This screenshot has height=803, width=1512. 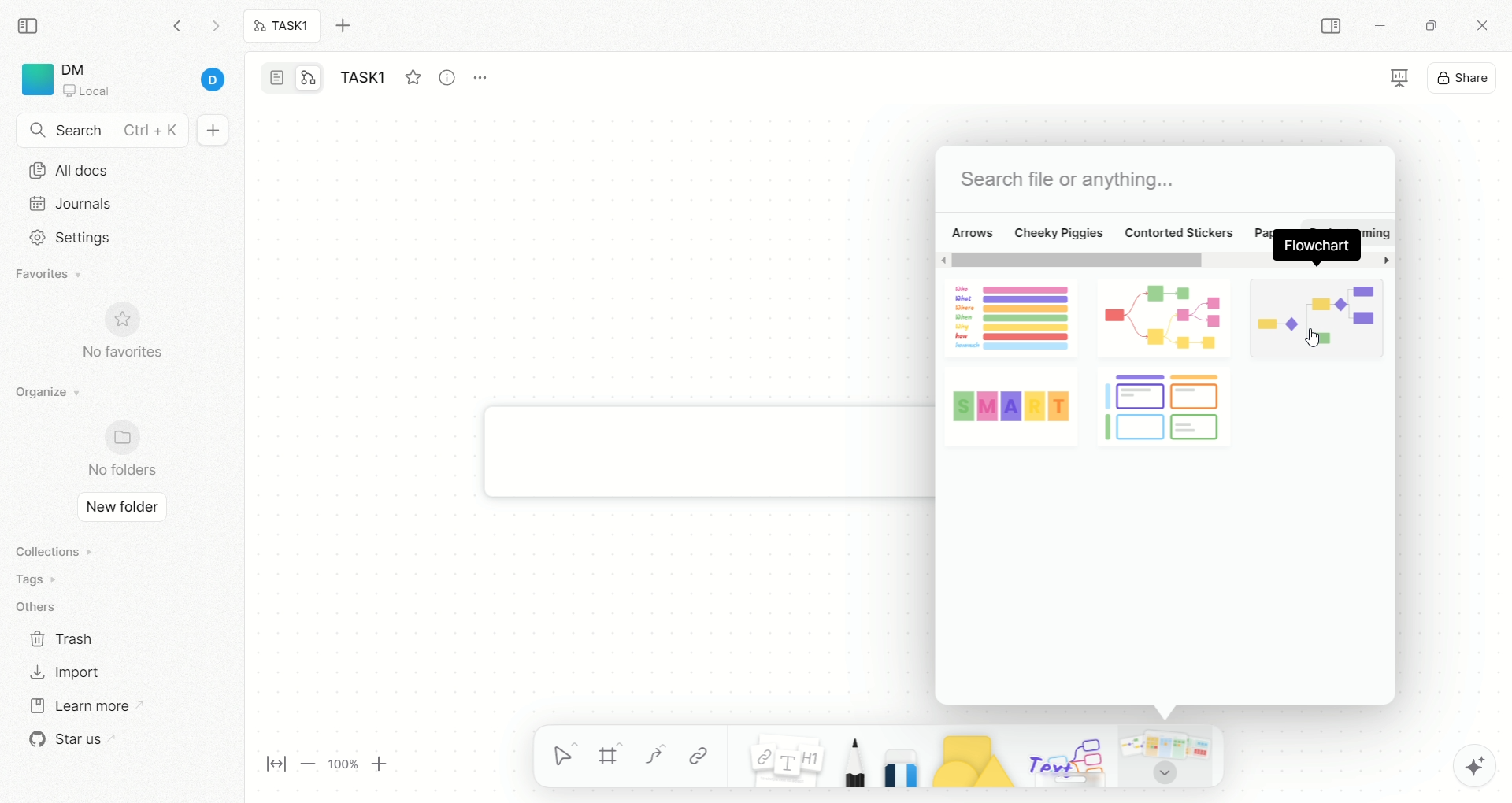 What do you see at coordinates (1485, 28) in the screenshot?
I see `close` at bounding box center [1485, 28].